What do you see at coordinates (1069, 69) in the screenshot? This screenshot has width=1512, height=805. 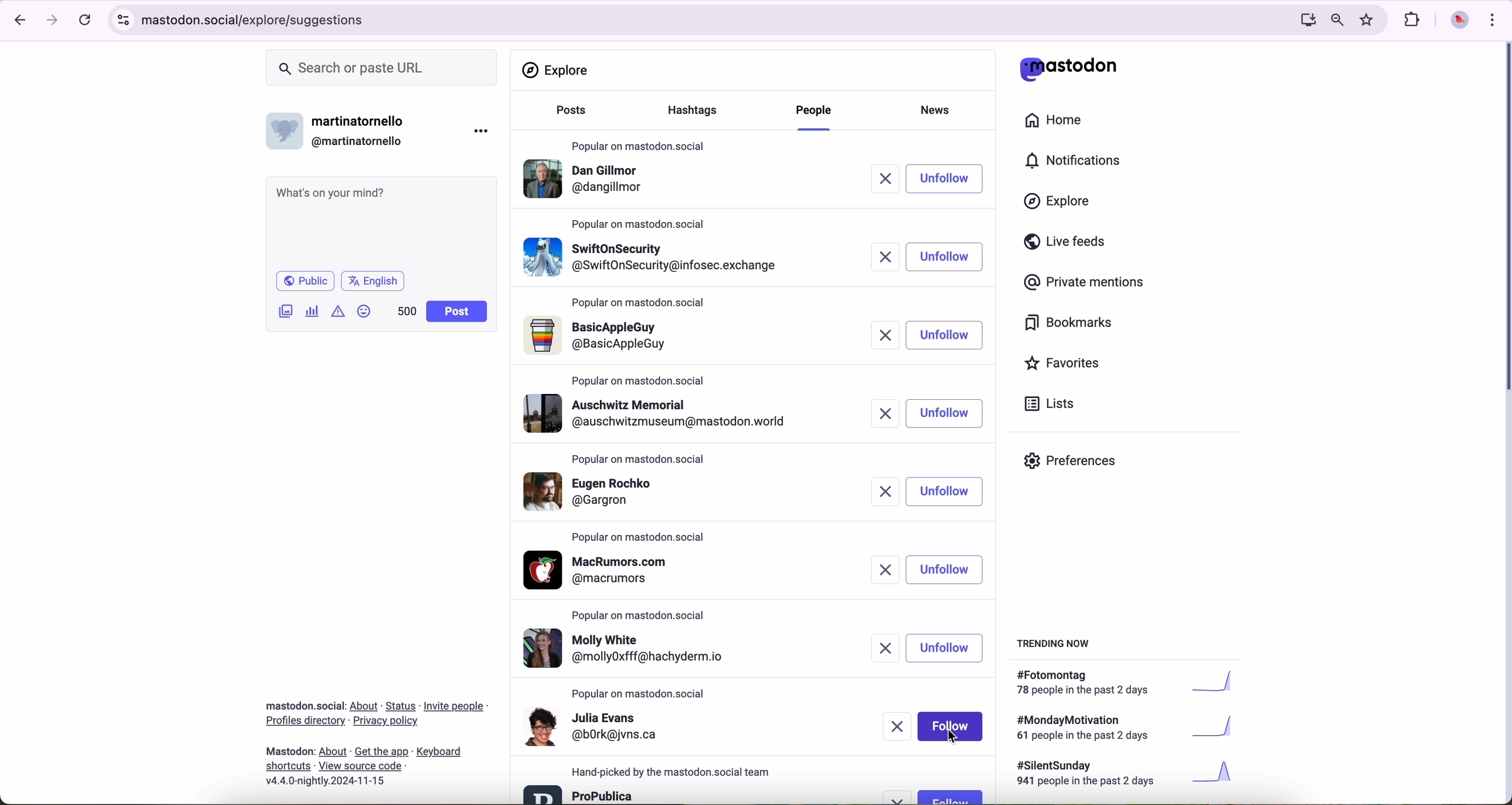 I see `matodon logo` at bounding box center [1069, 69].